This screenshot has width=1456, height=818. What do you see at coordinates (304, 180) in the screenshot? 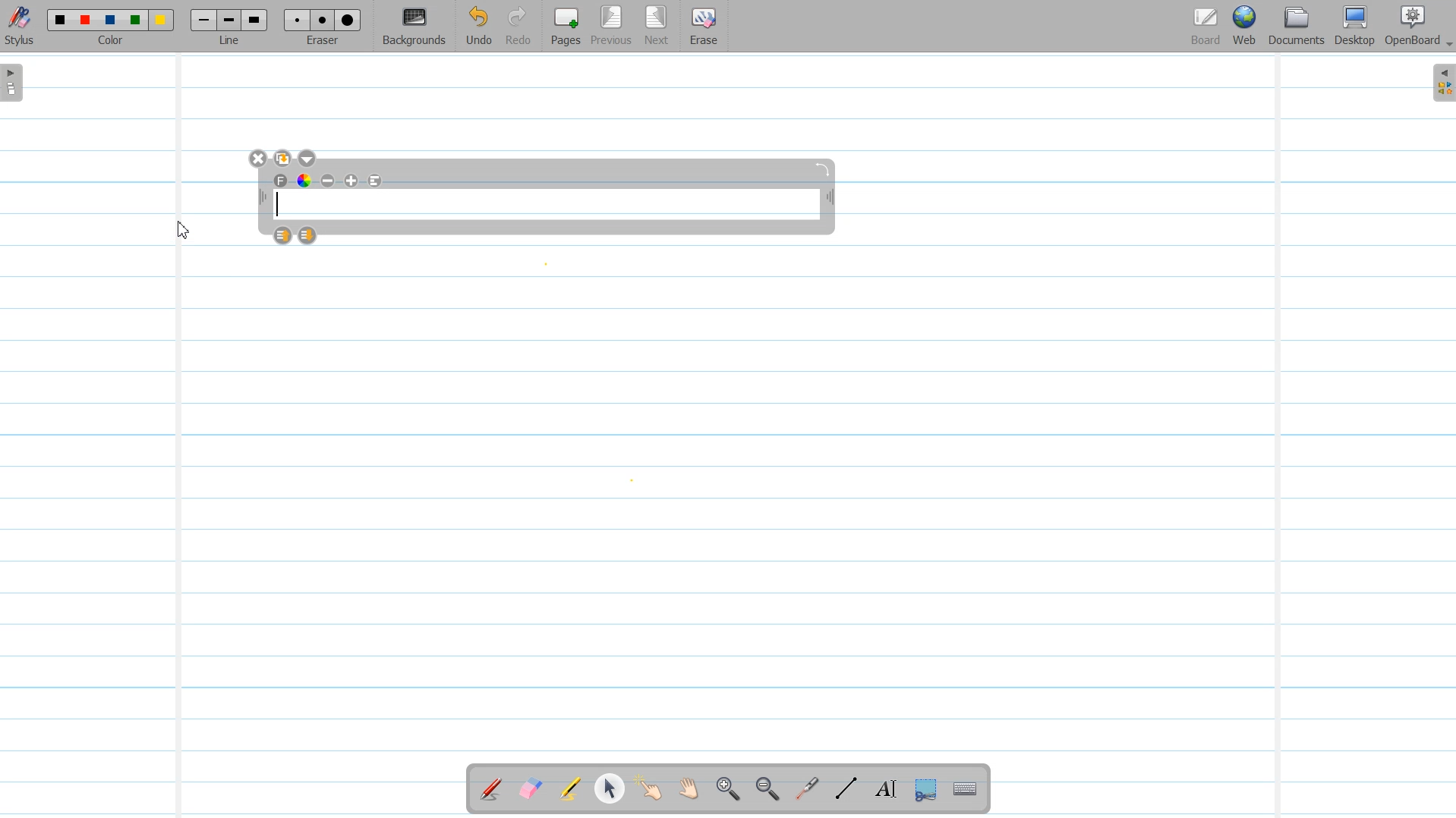
I see `Text Color` at bounding box center [304, 180].